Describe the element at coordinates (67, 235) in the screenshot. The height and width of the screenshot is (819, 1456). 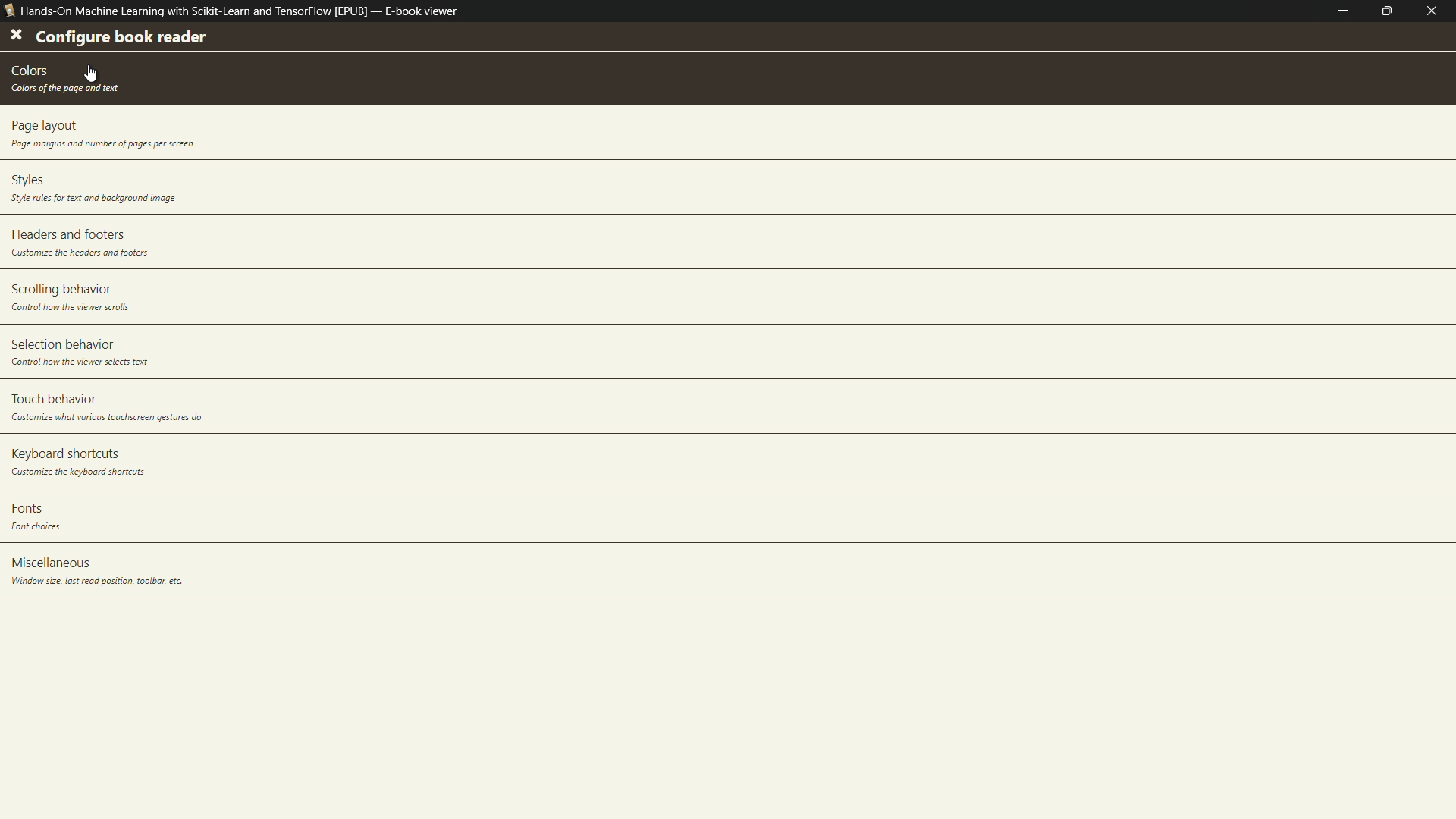
I see `headers and footers` at that location.